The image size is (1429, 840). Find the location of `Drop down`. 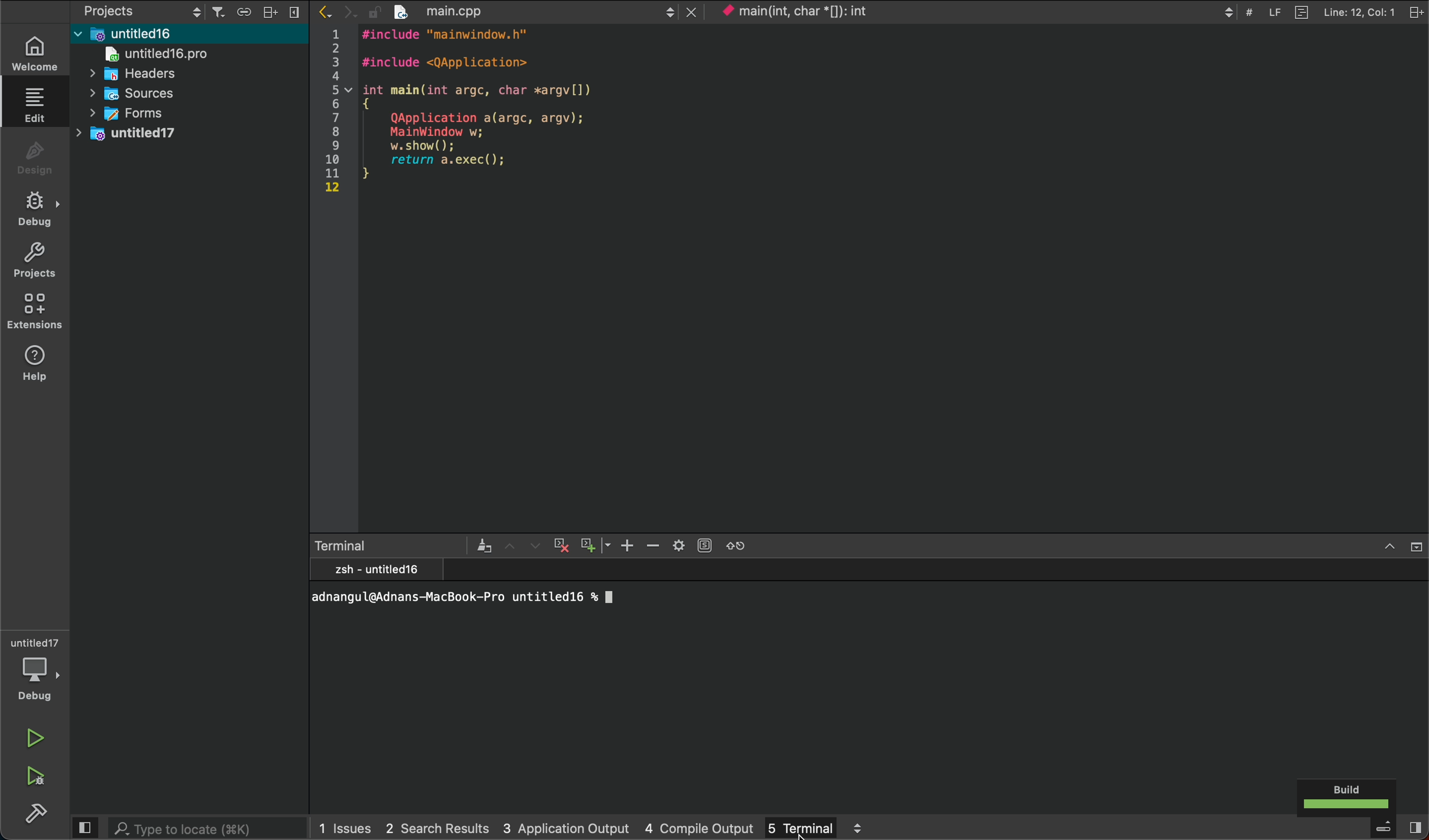

Drop down is located at coordinates (1388, 545).